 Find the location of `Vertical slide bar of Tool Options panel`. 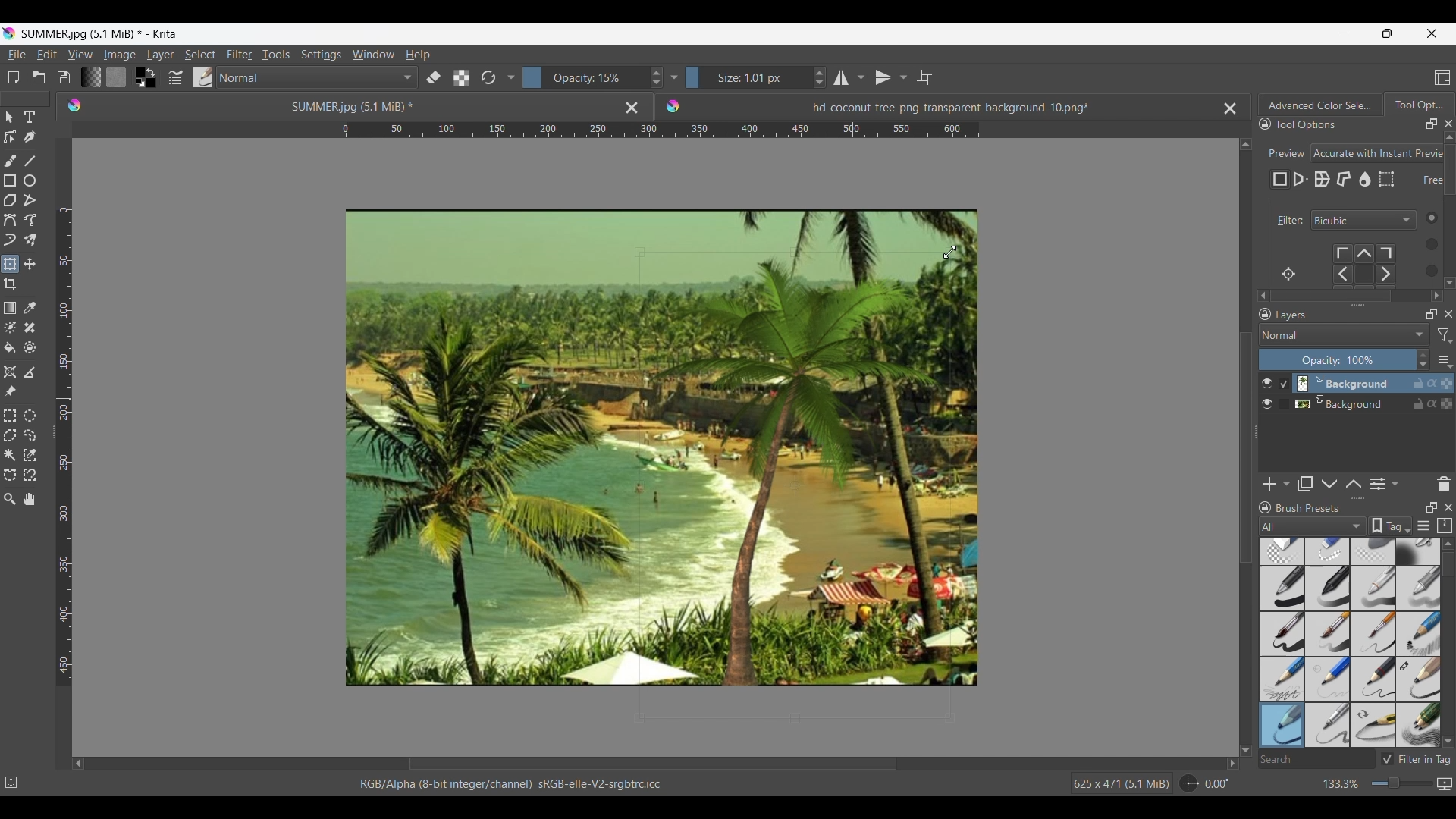

Vertical slide bar of Tool Options panel is located at coordinates (1452, 207).